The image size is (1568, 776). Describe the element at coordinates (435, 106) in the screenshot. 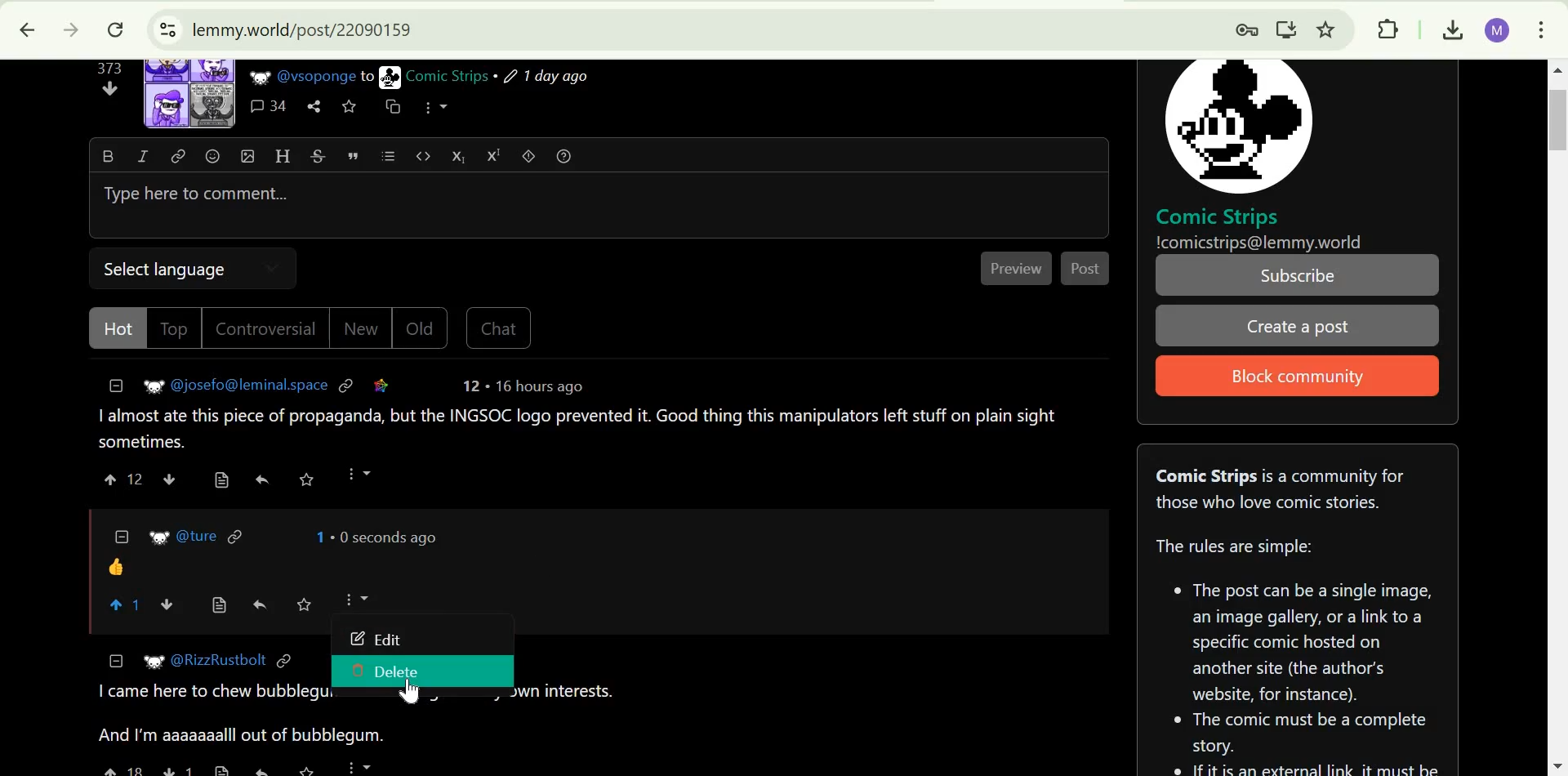

I see `more options` at that location.